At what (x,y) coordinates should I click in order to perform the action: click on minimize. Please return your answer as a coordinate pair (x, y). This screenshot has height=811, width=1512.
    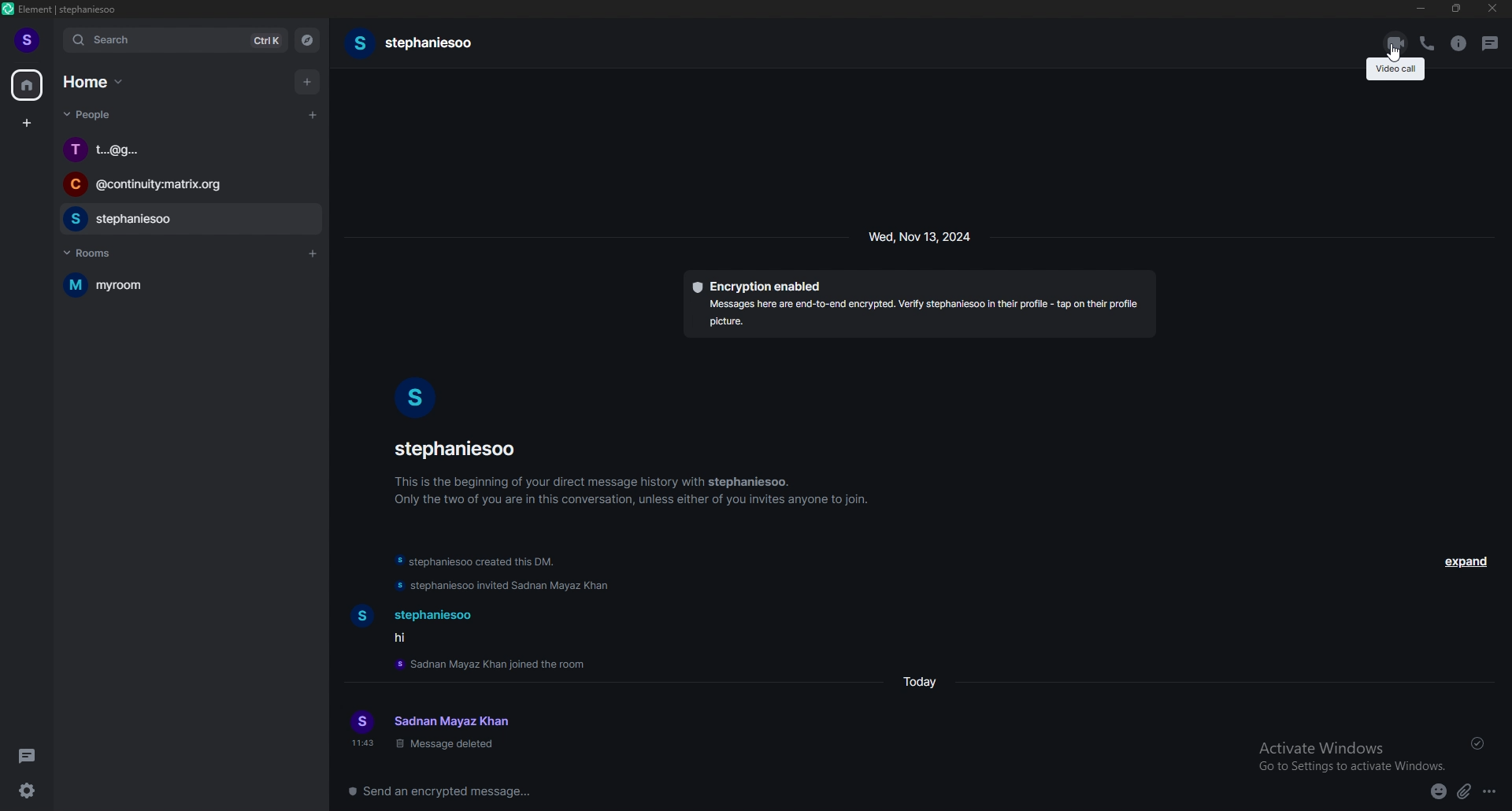
    Looking at the image, I should click on (1421, 9).